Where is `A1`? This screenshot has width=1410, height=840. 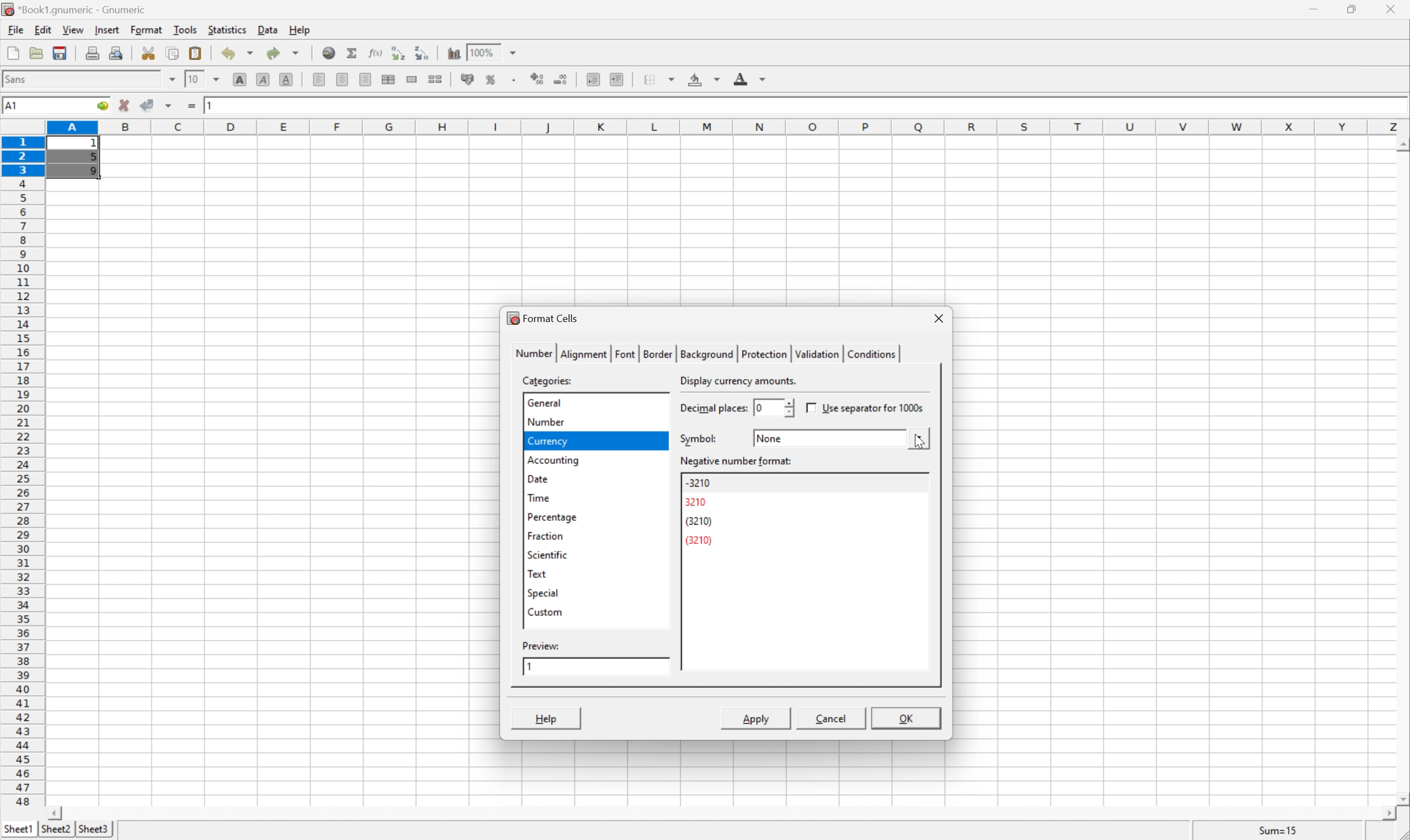
A1 is located at coordinates (14, 106).